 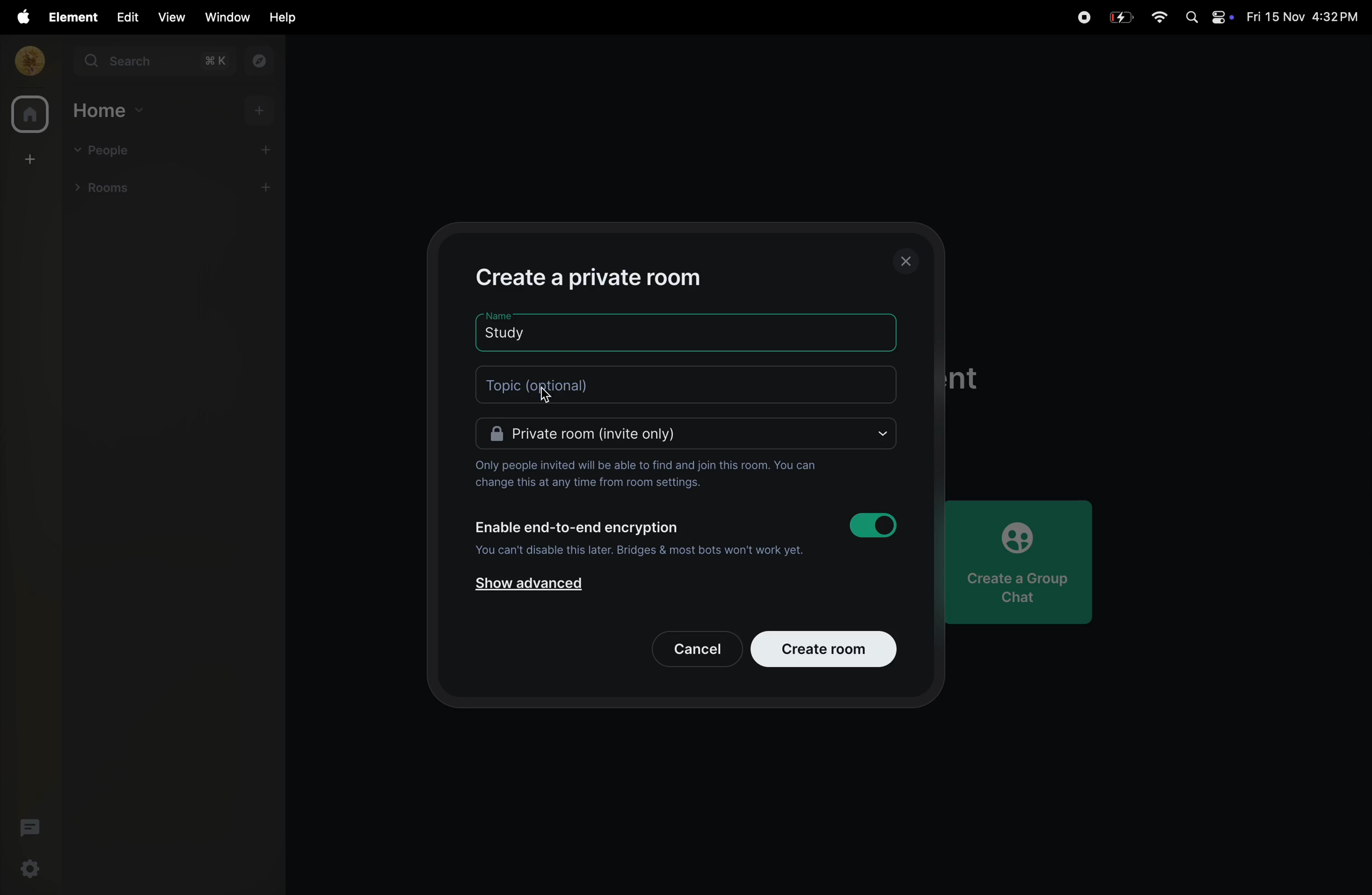 What do you see at coordinates (271, 149) in the screenshot?
I see `add` at bounding box center [271, 149].